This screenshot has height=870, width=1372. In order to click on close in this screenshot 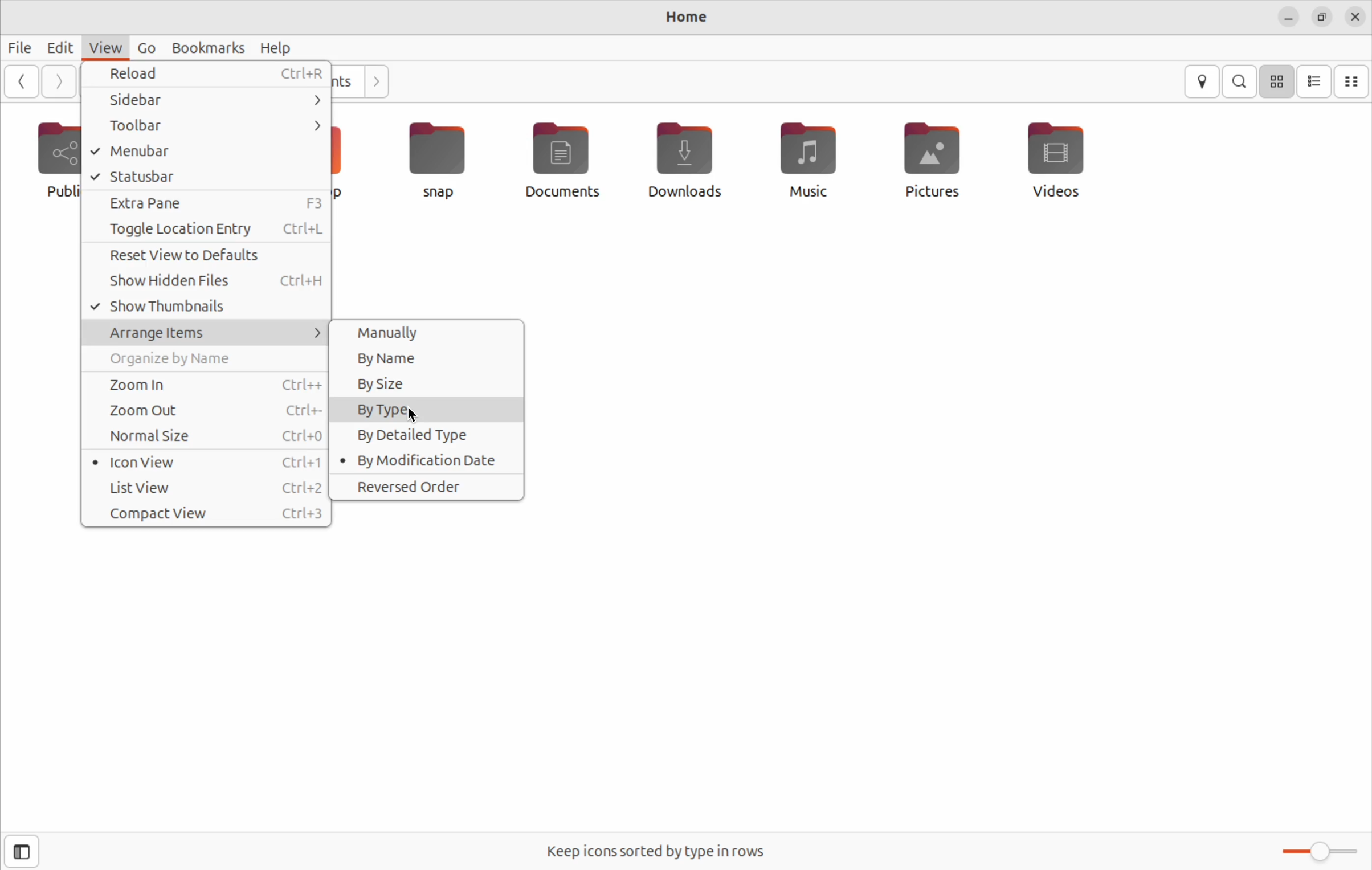, I will do `click(1357, 15)`.